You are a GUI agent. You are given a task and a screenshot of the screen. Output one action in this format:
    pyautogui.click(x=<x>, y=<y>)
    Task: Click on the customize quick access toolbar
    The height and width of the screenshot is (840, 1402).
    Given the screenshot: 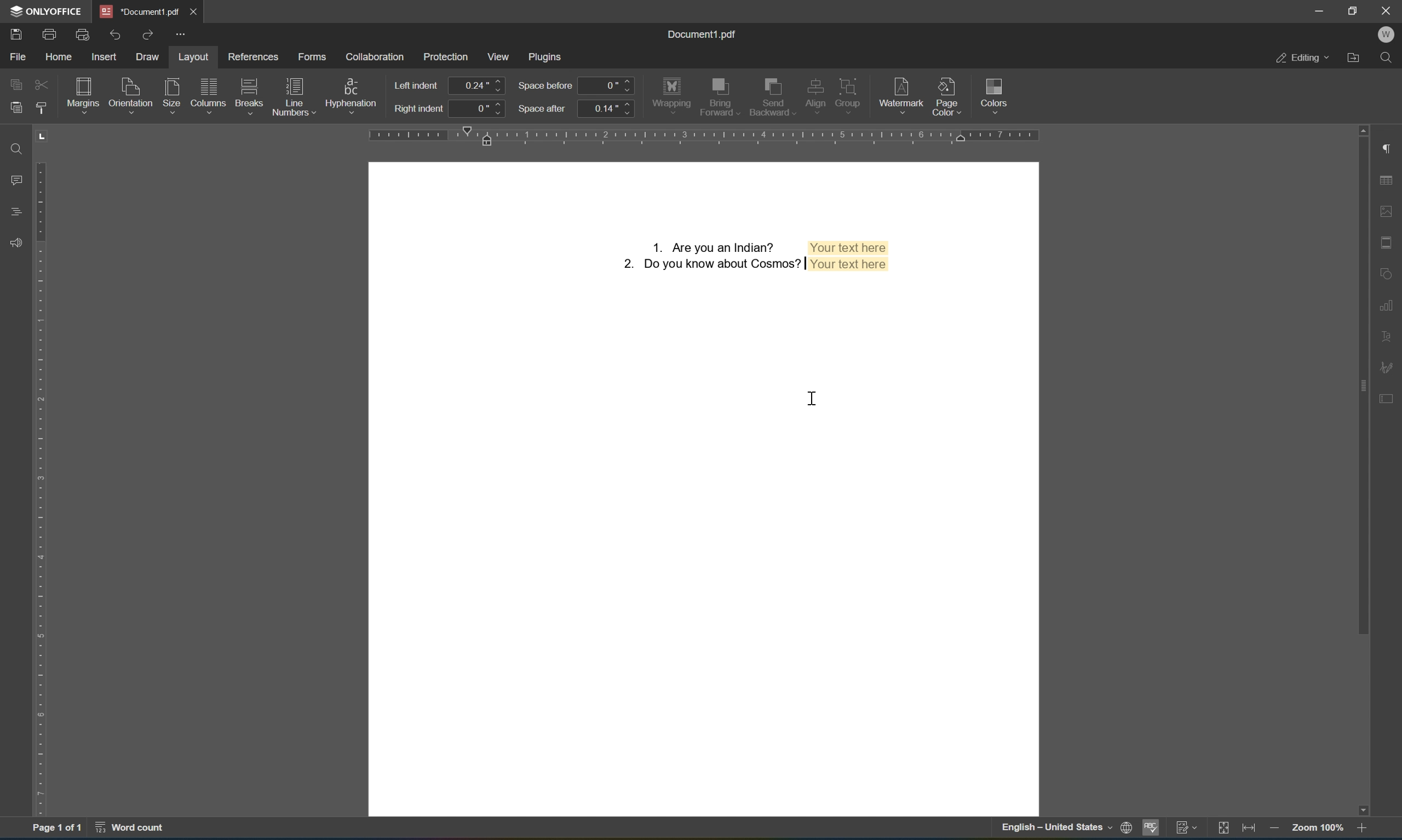 What is the action you would take?
    pyautogui.click(x=185, y=36)
    